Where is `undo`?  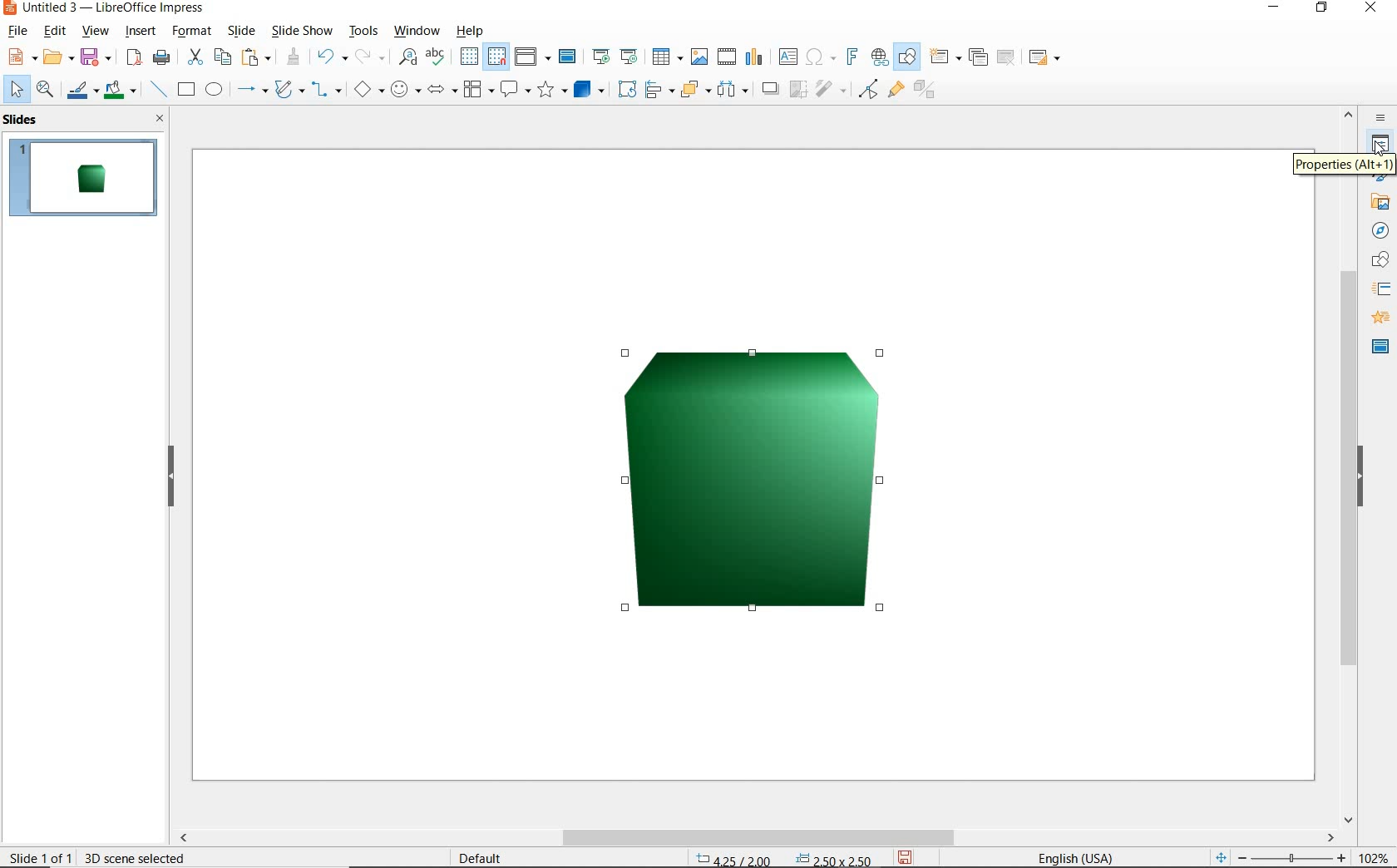
undo is located at coordinates (333, 57).